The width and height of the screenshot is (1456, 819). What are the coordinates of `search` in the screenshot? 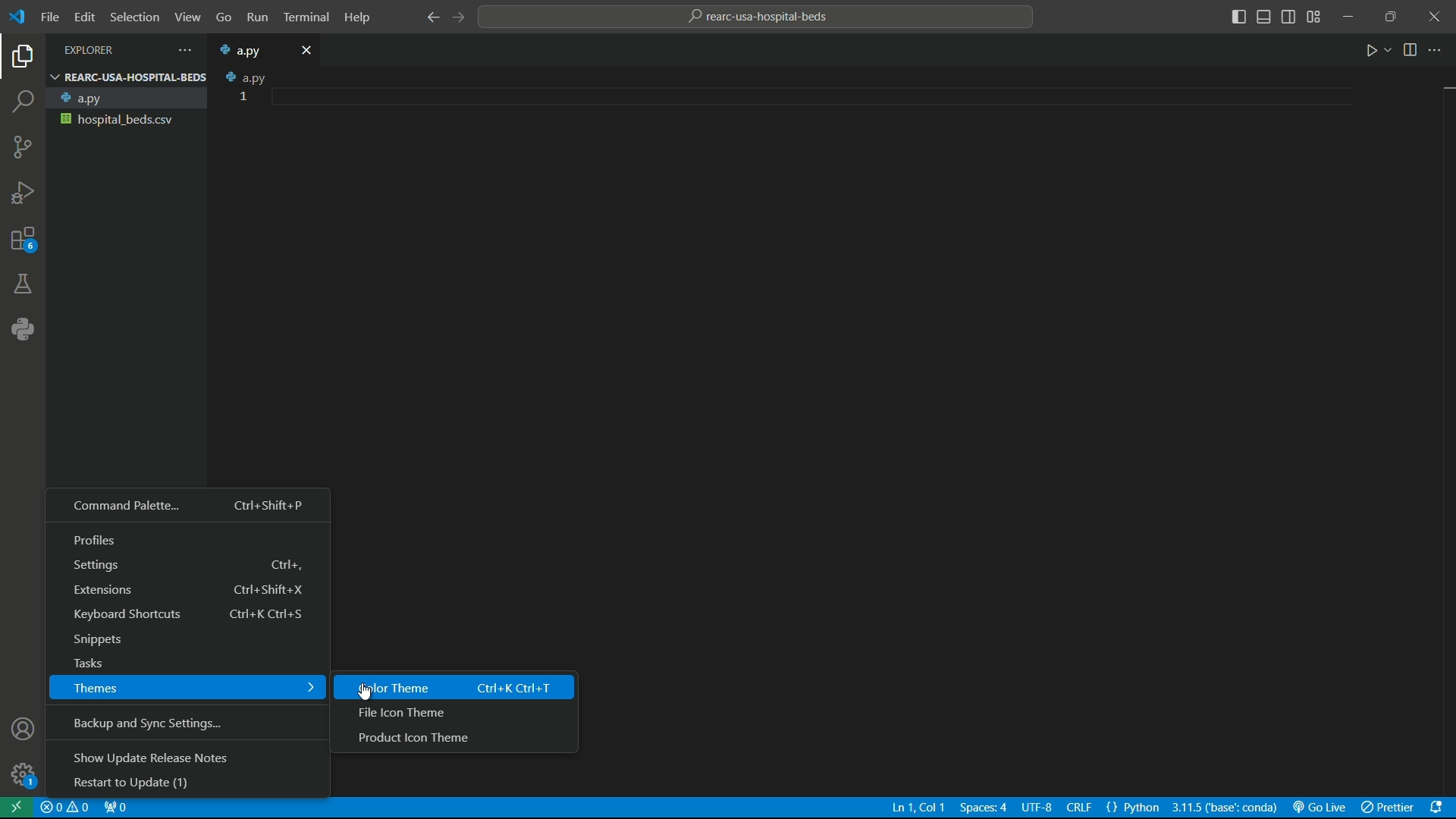 It's located at (24, 103).